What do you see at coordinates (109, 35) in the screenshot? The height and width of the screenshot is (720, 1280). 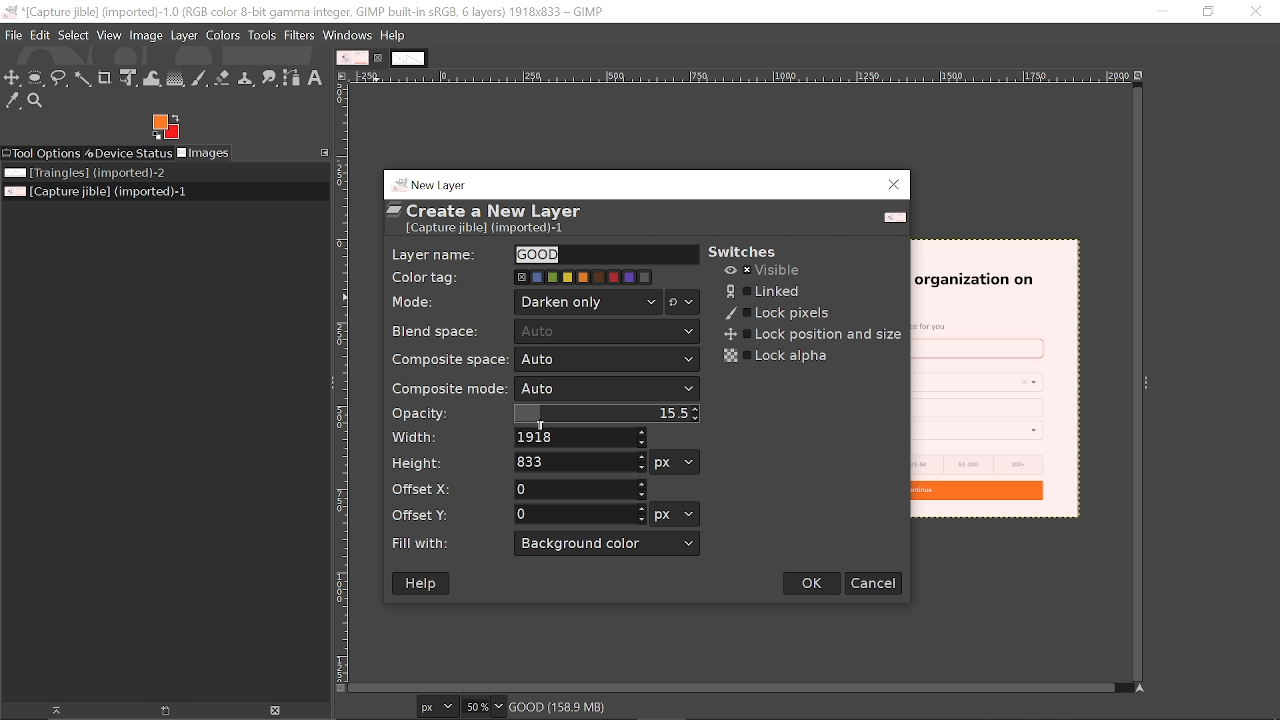 I see `View` at bounding box center [109, 35].